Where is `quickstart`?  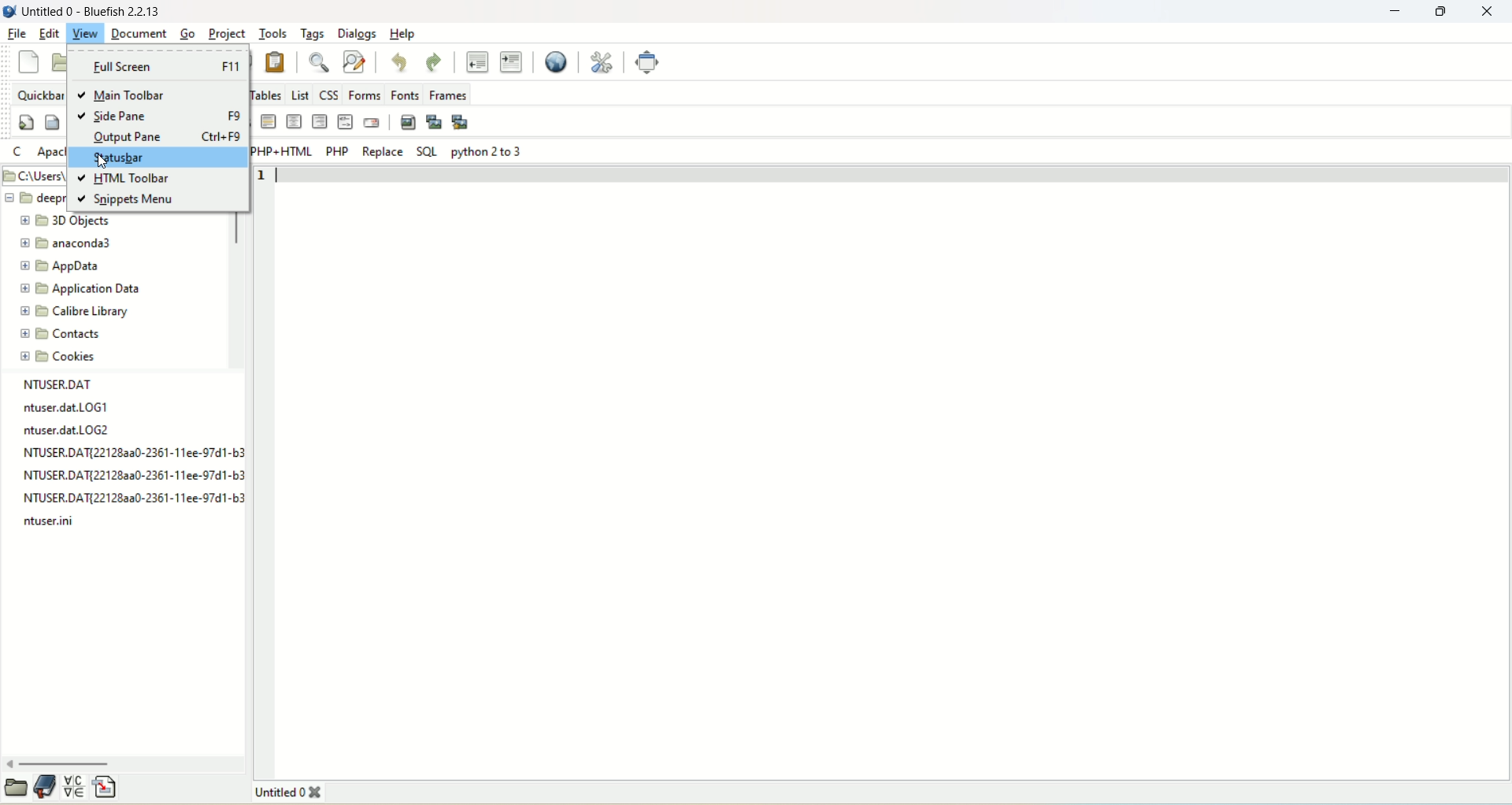 quickstart is located at coordinates (27, 122).